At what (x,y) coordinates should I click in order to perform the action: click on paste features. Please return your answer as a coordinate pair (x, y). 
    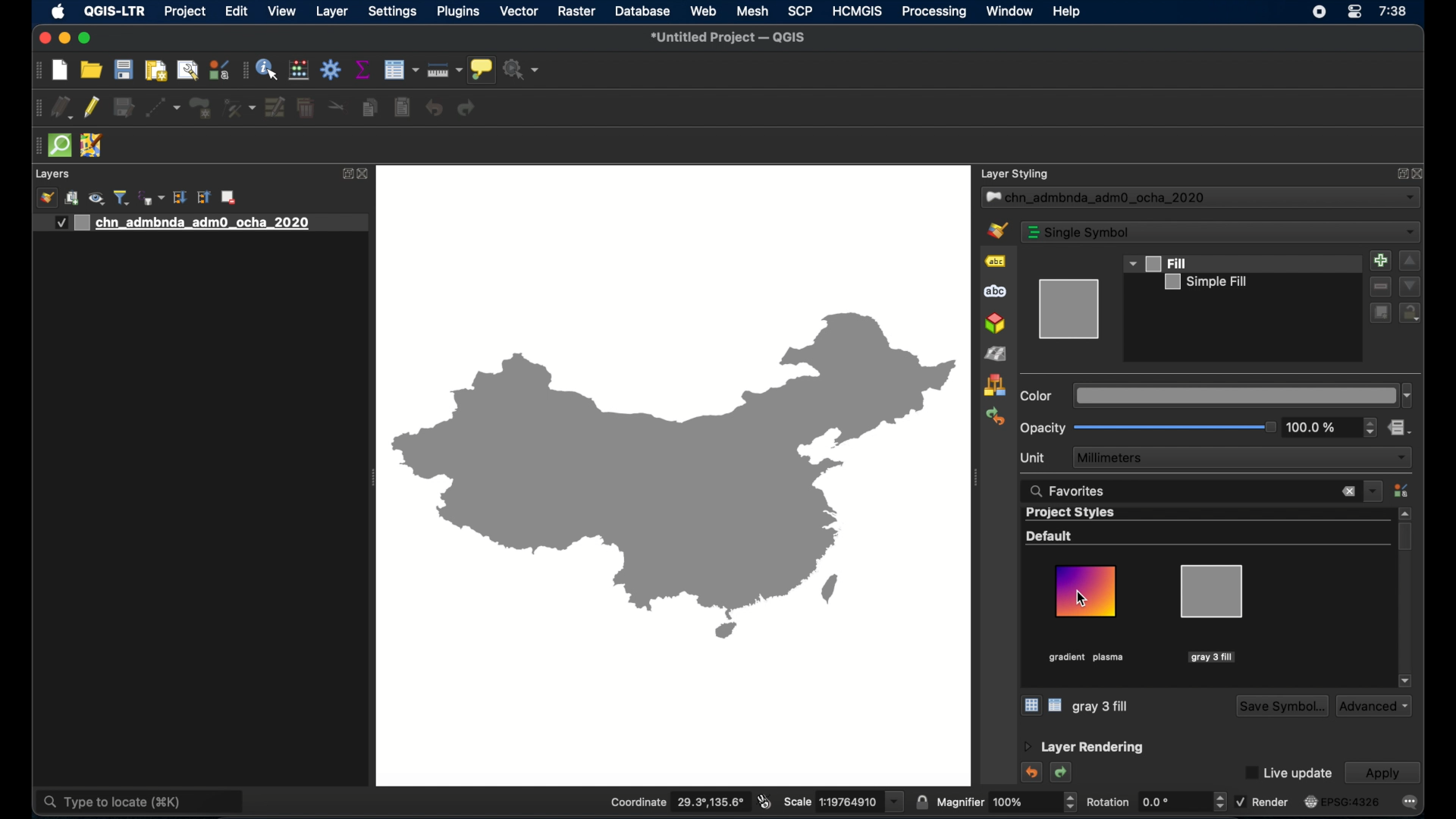
    Looking at the image, I should click on (403, 108).